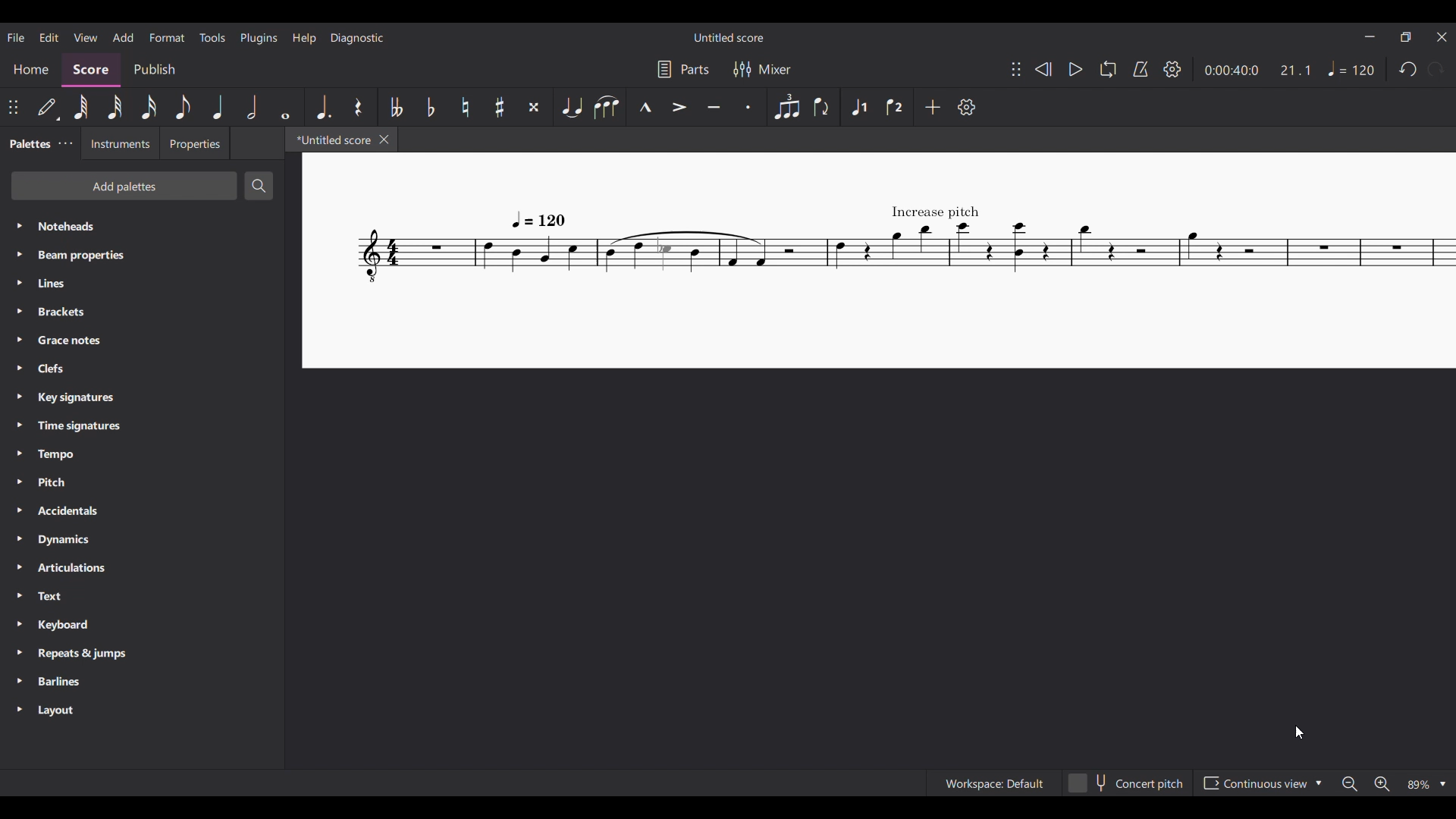 This screenshot has width=1456, height=819. I want to click on Whole note, so click(285, 107).